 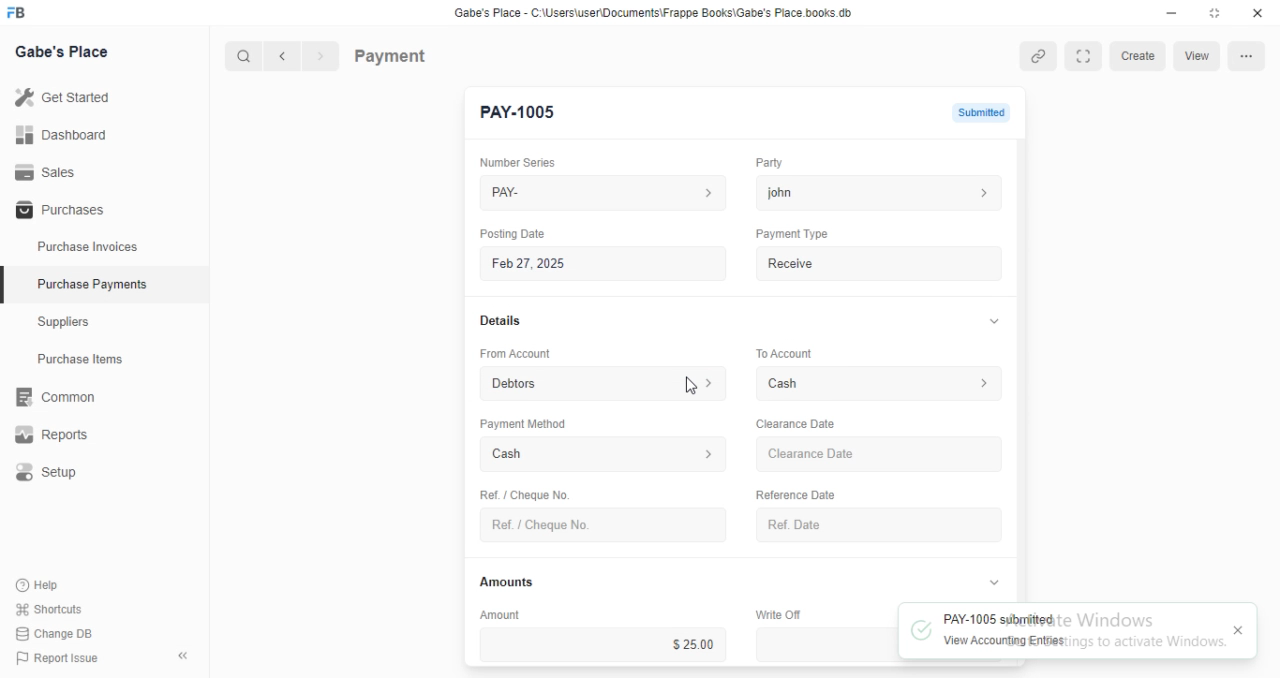 What do you see at coordinates (604, 456) in the screenshot?
I see `Cash` at bounding box center [604, 456].